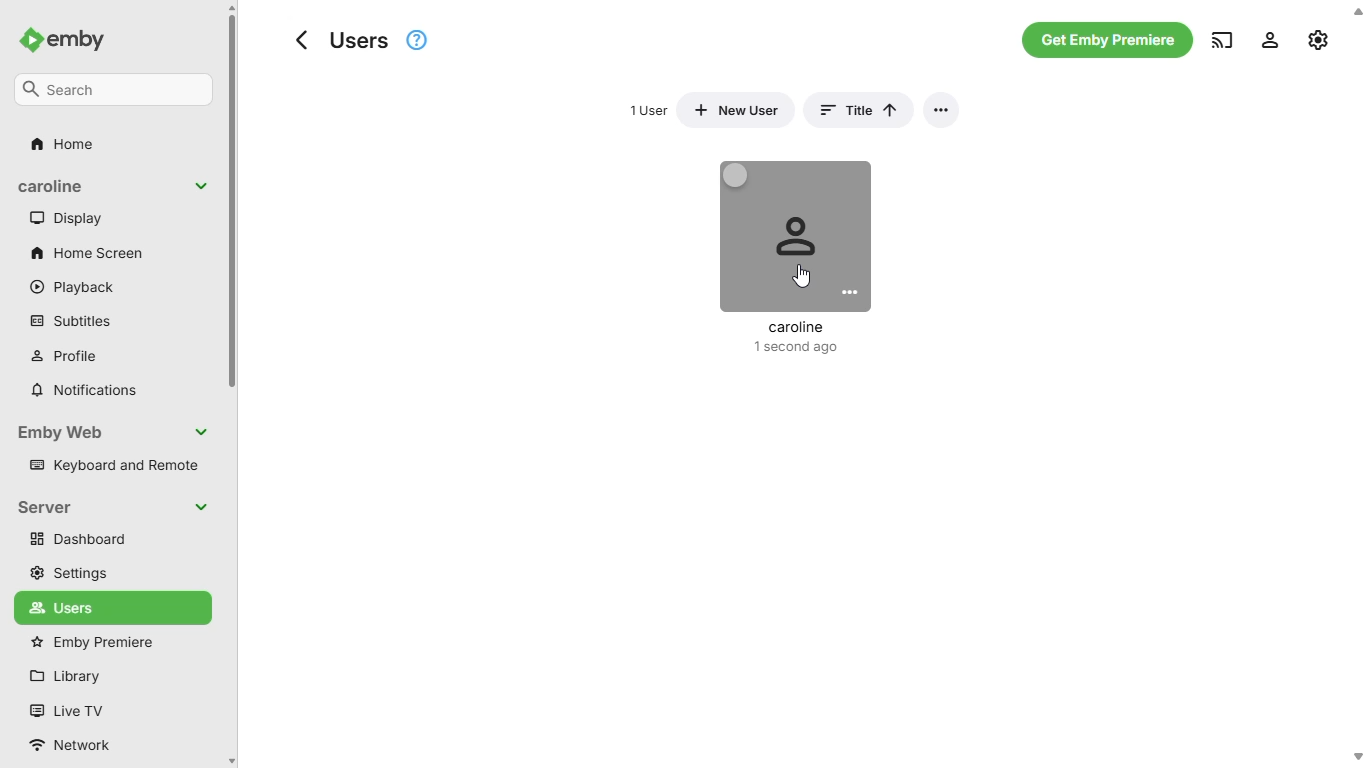 The width and height of the screenshot is (1366, 768). Describe the element at coordinates (117, 433) in the screenshot. I see `emby web` at that location.